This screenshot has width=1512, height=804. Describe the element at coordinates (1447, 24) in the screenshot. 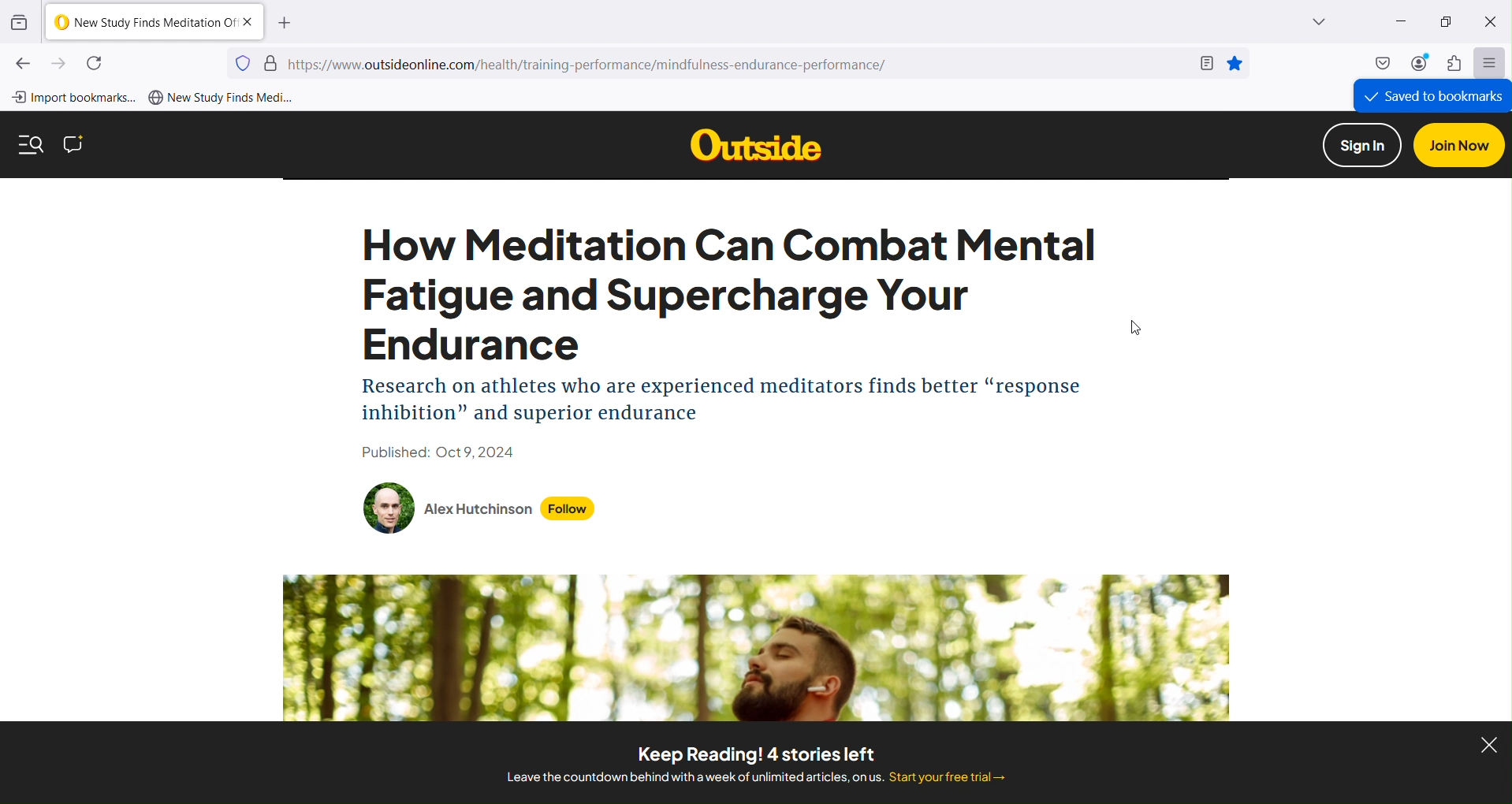

I see `Restore` at that location.